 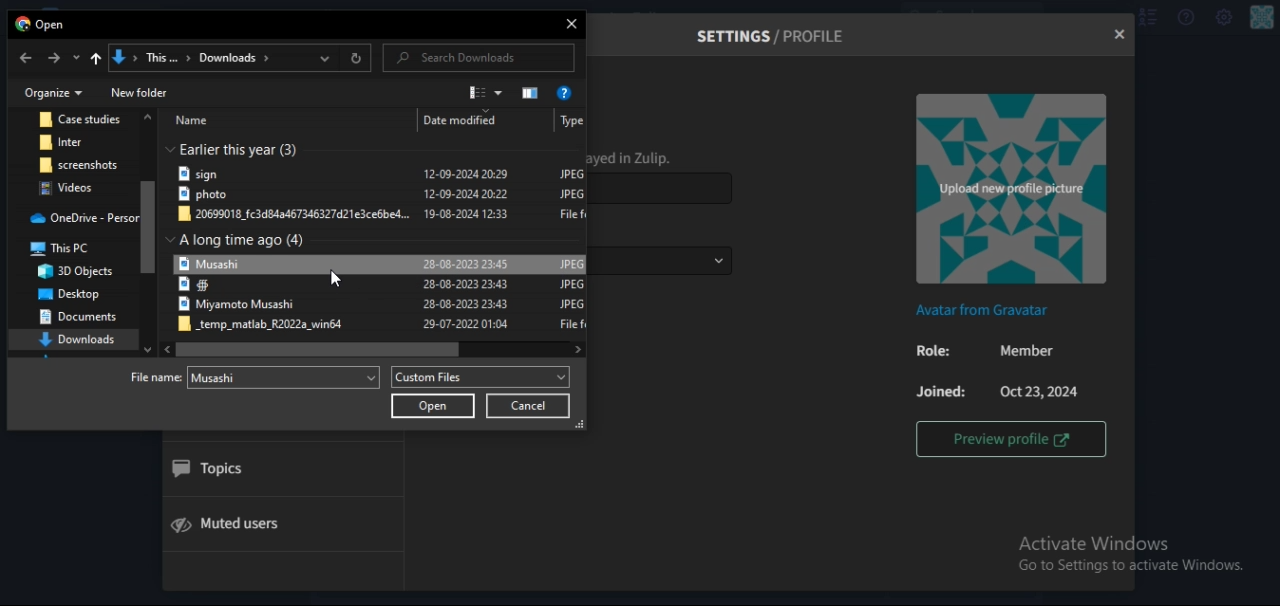 What do you see at coordinates (241, 148) in the screenshot?
I see `text` at bounding box center [241, 148].